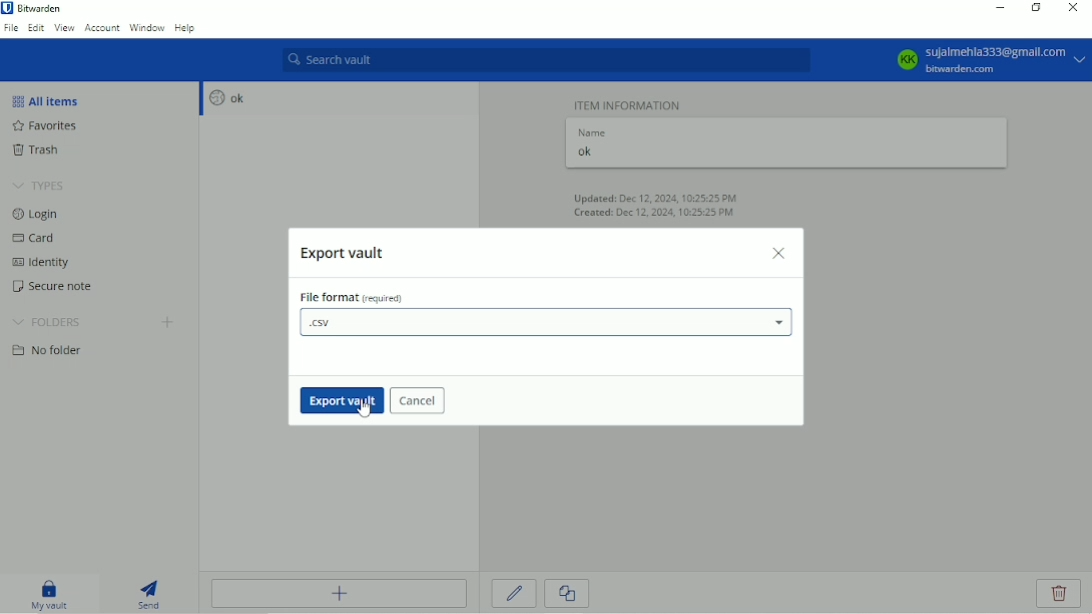 The width and height of the screenshot is (1092, 614). I want to click on Trash, so click(47, 151).